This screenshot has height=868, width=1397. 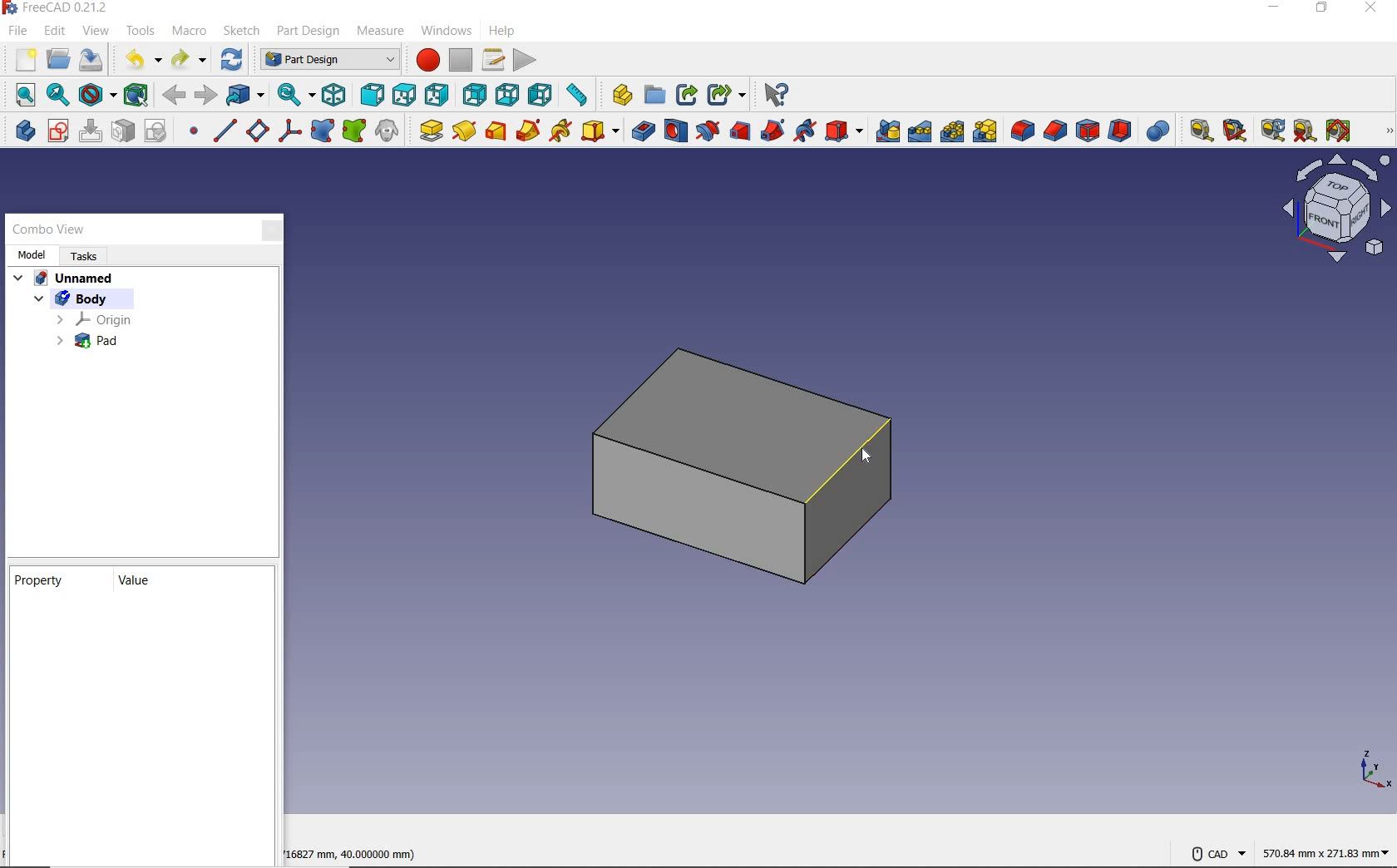 I want to click on subtractive pipe, so click(x=774, y=131).